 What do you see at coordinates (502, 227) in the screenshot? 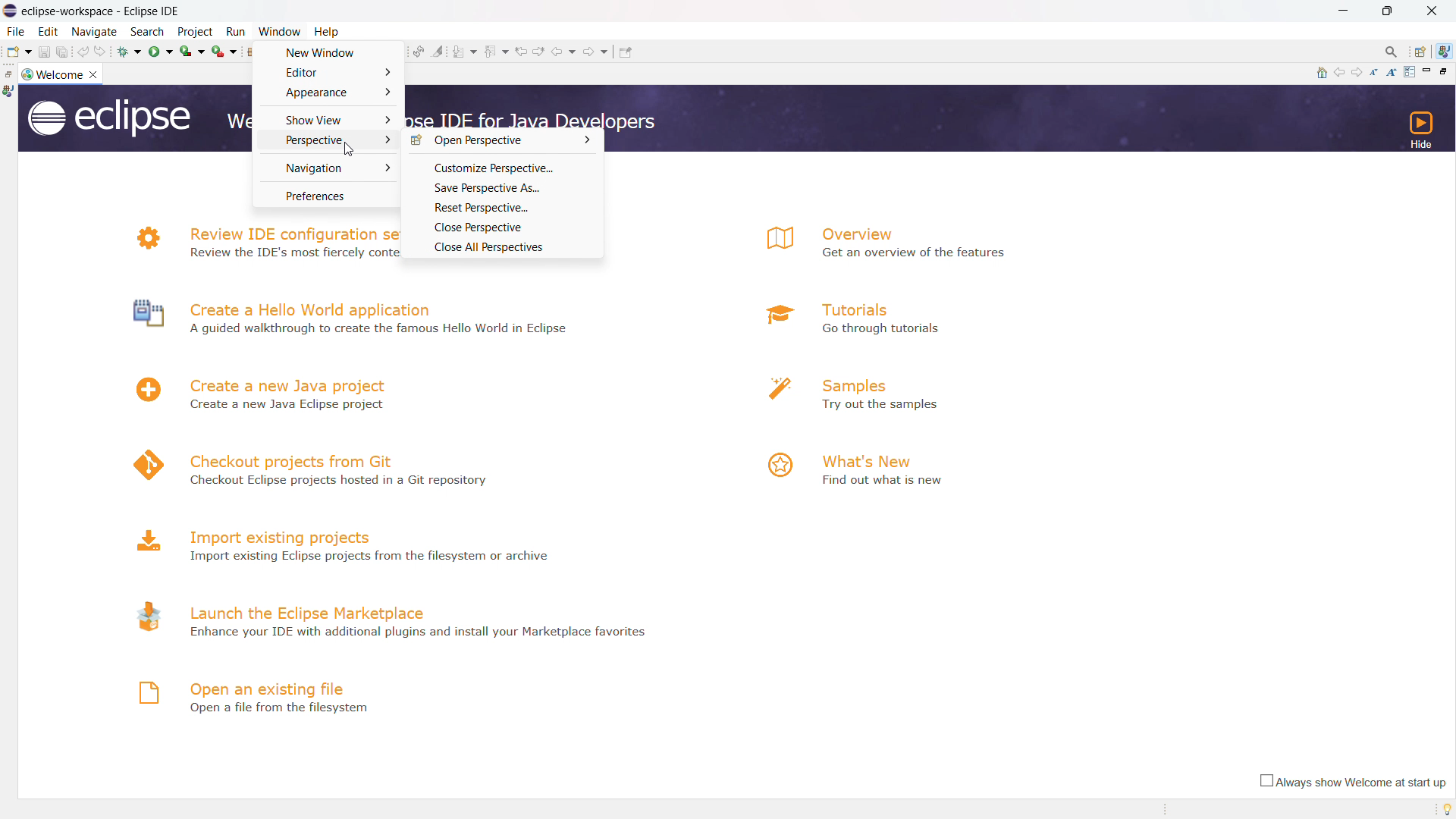
I see `close perspective` at bounding box center [502, 227].